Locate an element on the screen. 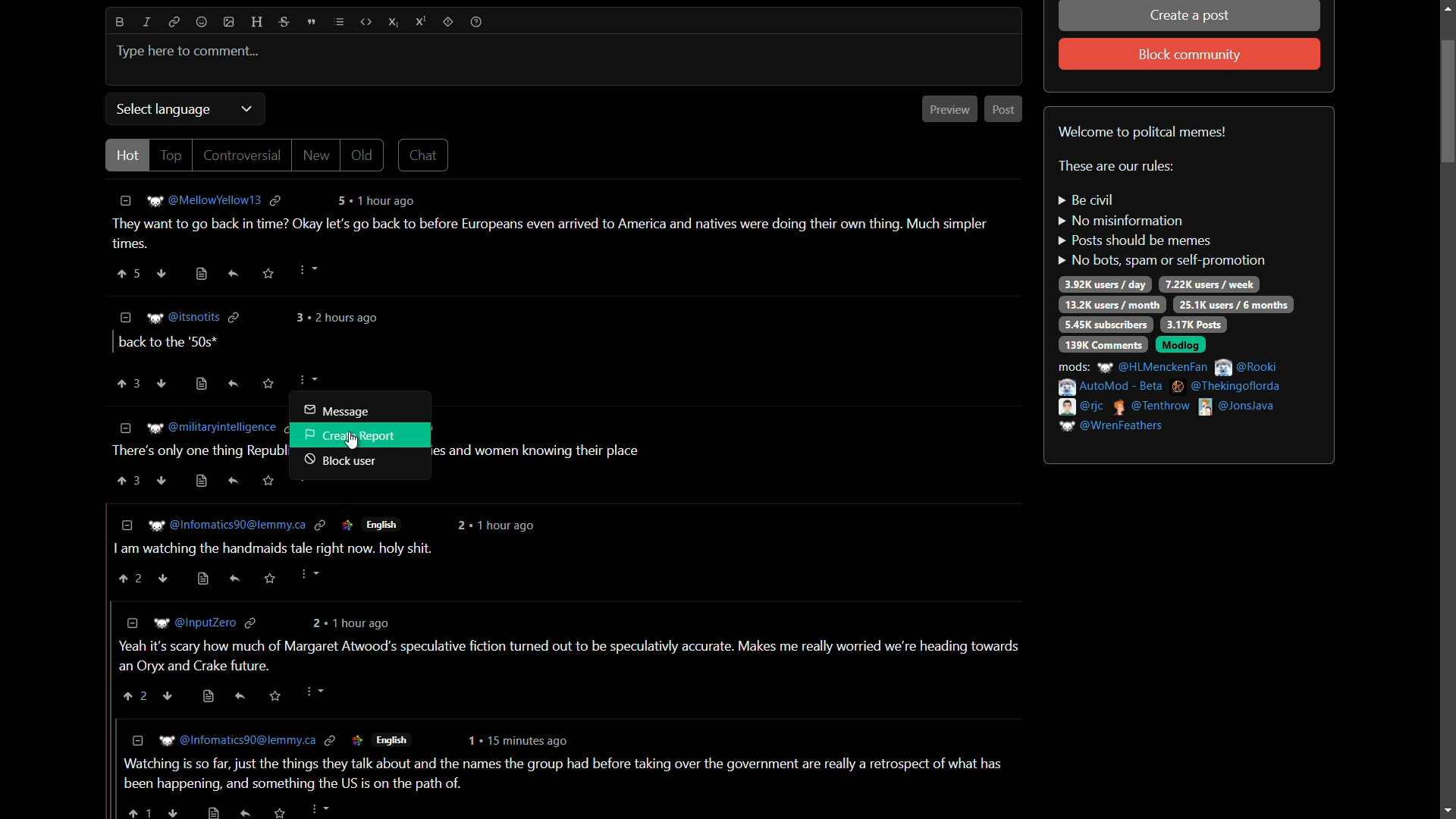 The width and height of the screenshot is (1456, 819). controversial is located at coordinates (240, 155).